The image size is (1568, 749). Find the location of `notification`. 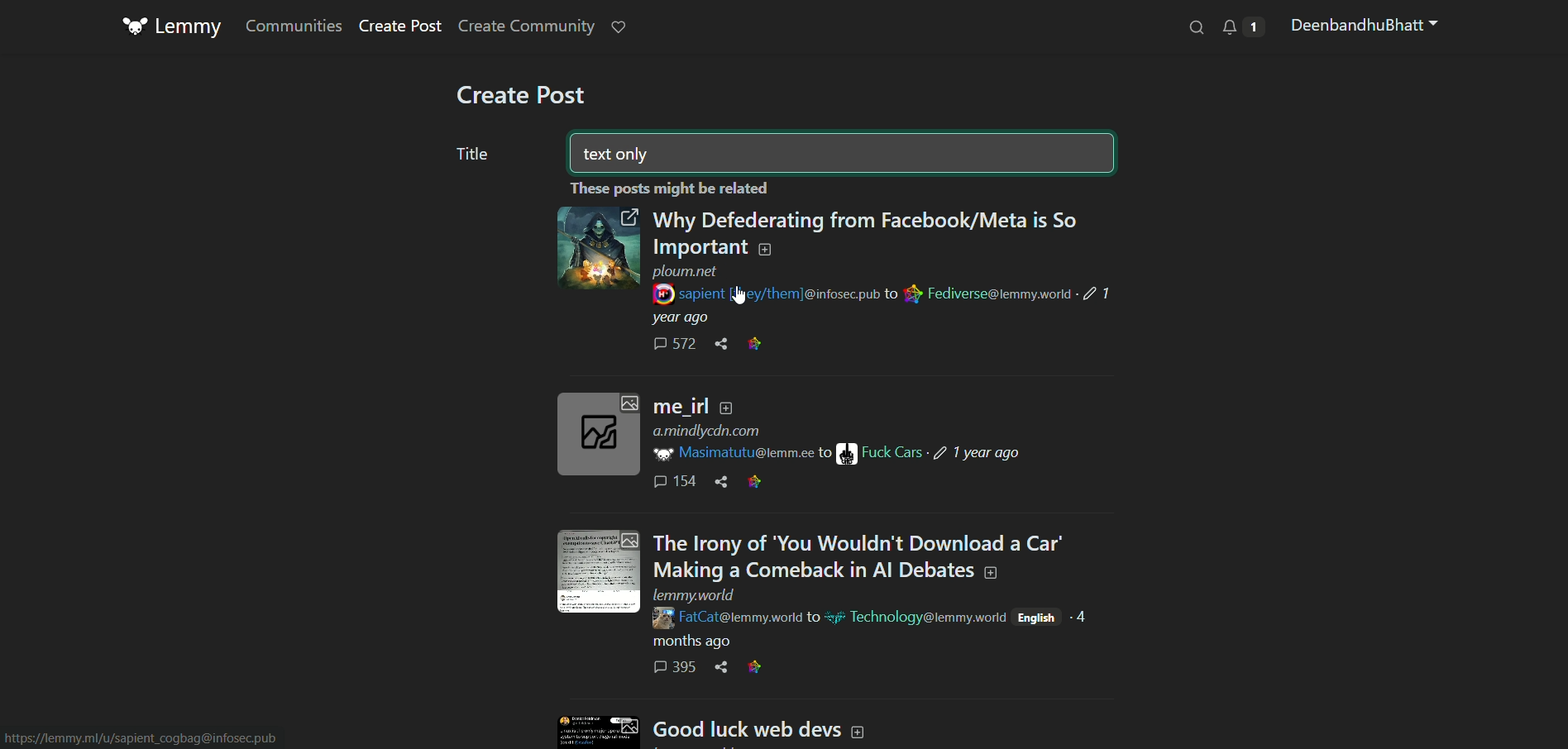

notification is located at coordinates (620, 28).